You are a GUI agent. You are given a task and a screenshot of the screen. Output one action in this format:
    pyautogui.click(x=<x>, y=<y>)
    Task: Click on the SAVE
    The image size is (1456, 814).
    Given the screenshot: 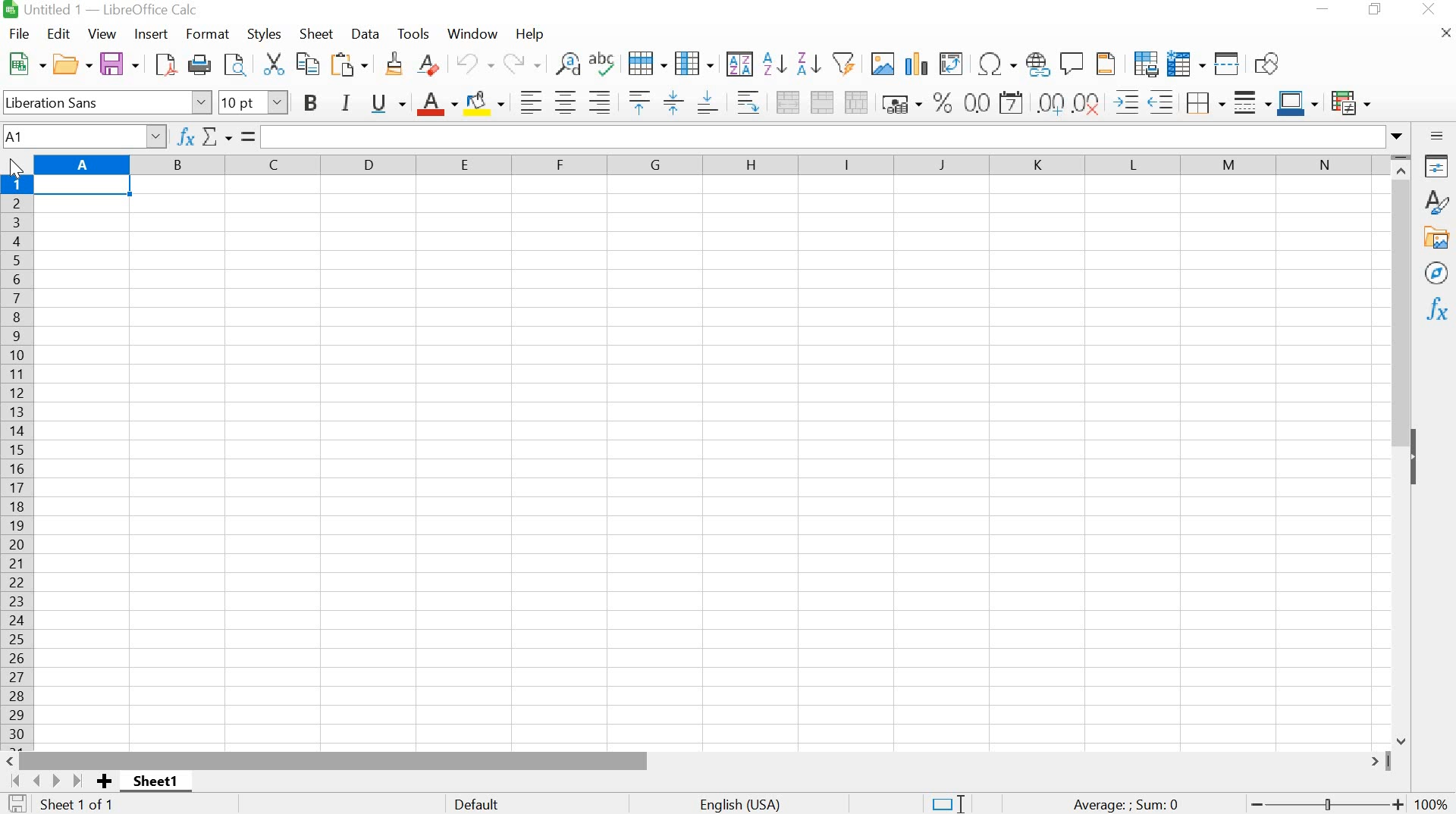 What is the action you would take?
    pyautogui.click(x=118, y=64)
    